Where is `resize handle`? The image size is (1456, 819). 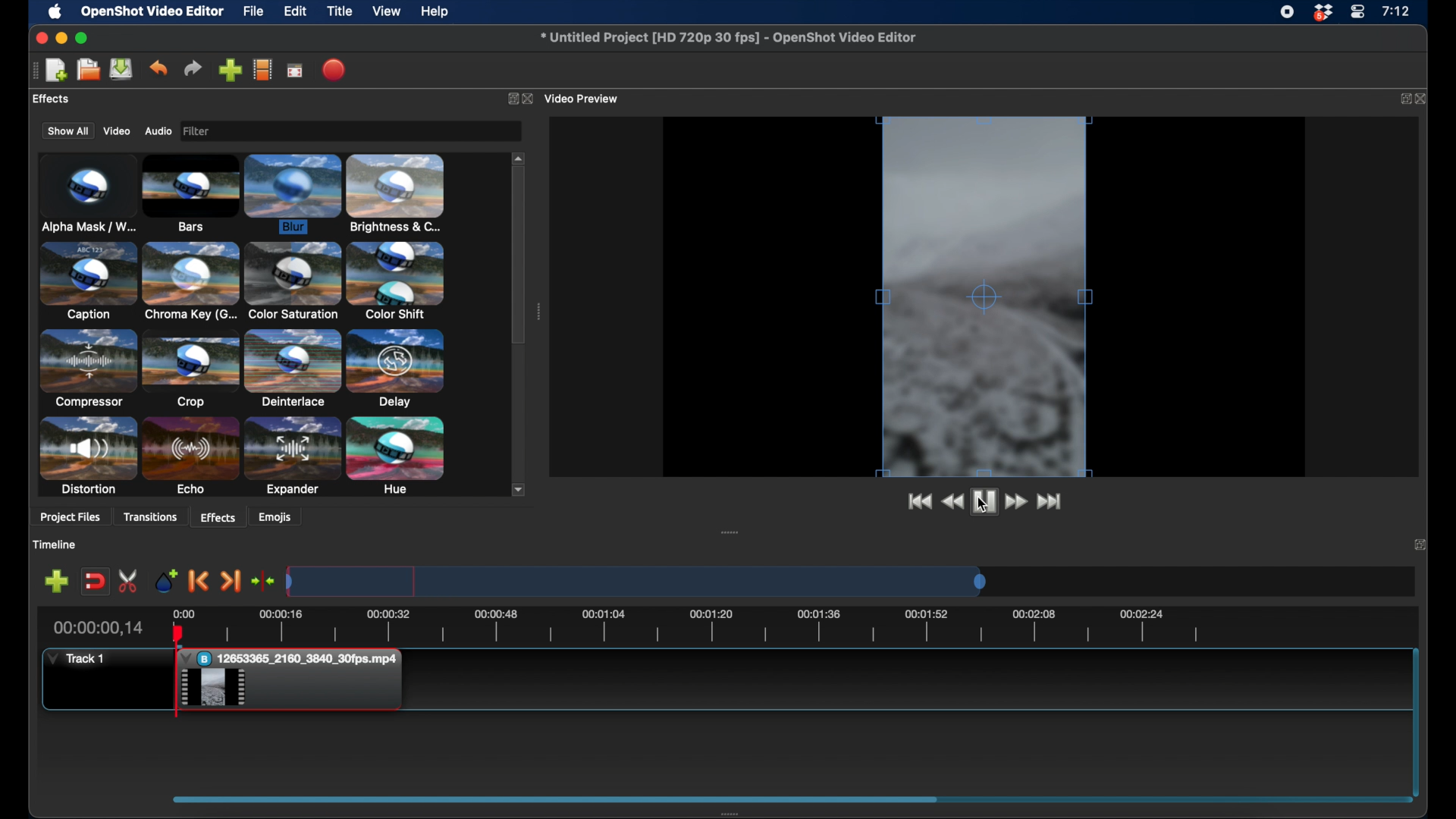 resize handle is located at coordinates (987, 297).